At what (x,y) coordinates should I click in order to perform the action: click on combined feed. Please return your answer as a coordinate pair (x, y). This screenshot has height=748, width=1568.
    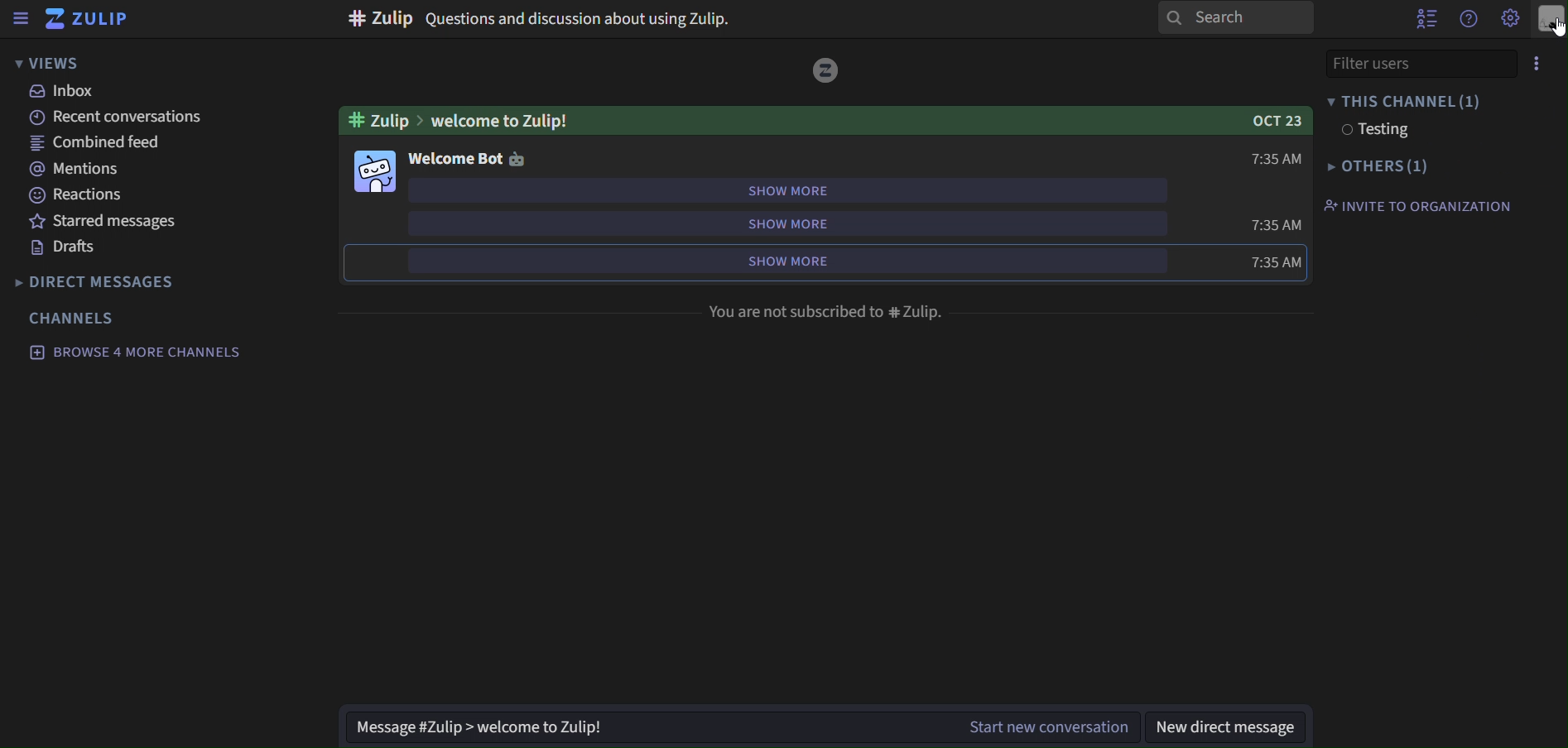
    Looking at the image, I should click on (102, 144).